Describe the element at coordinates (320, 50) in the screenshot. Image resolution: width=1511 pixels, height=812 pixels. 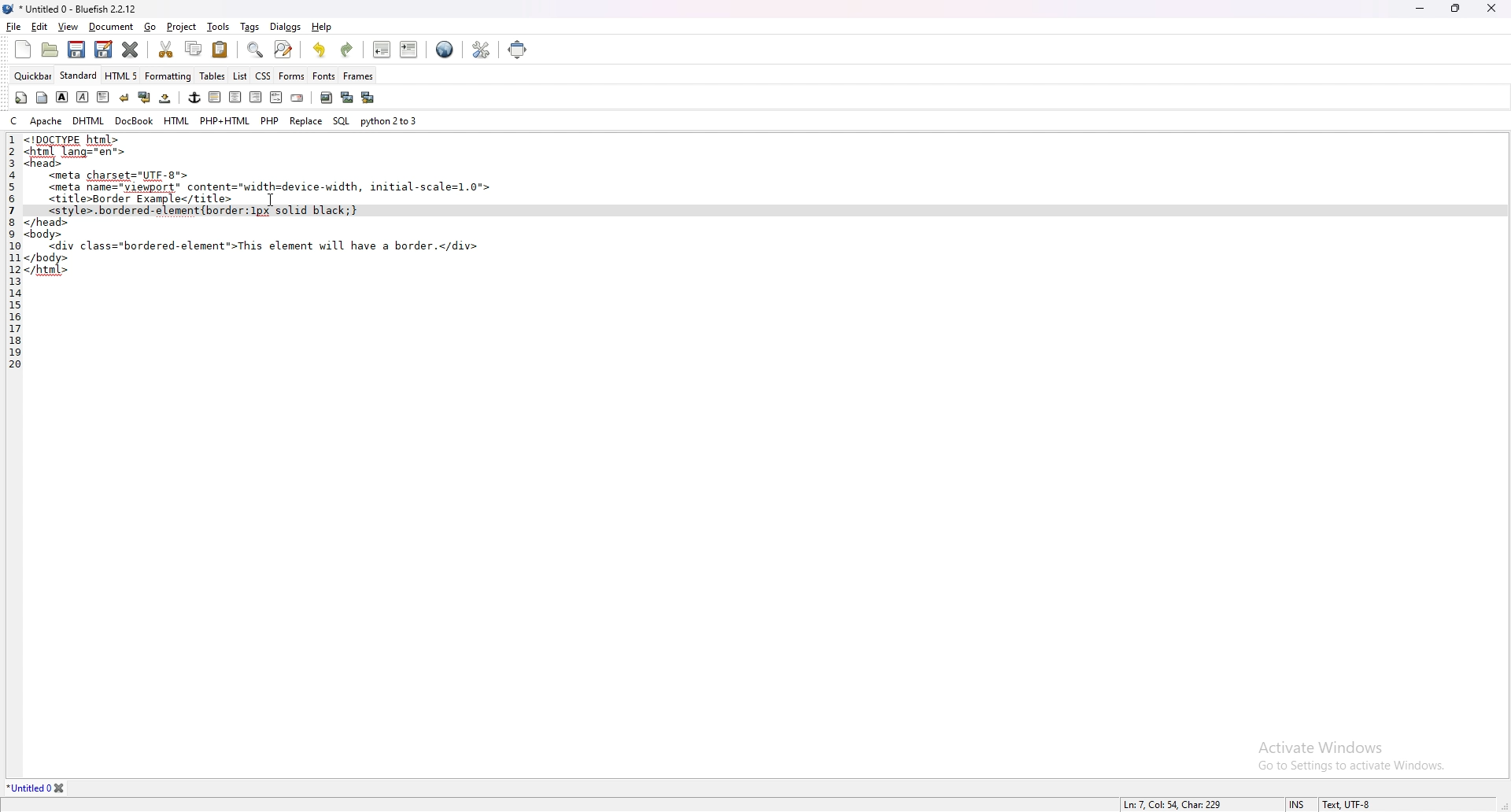
I see `undo` at that location.